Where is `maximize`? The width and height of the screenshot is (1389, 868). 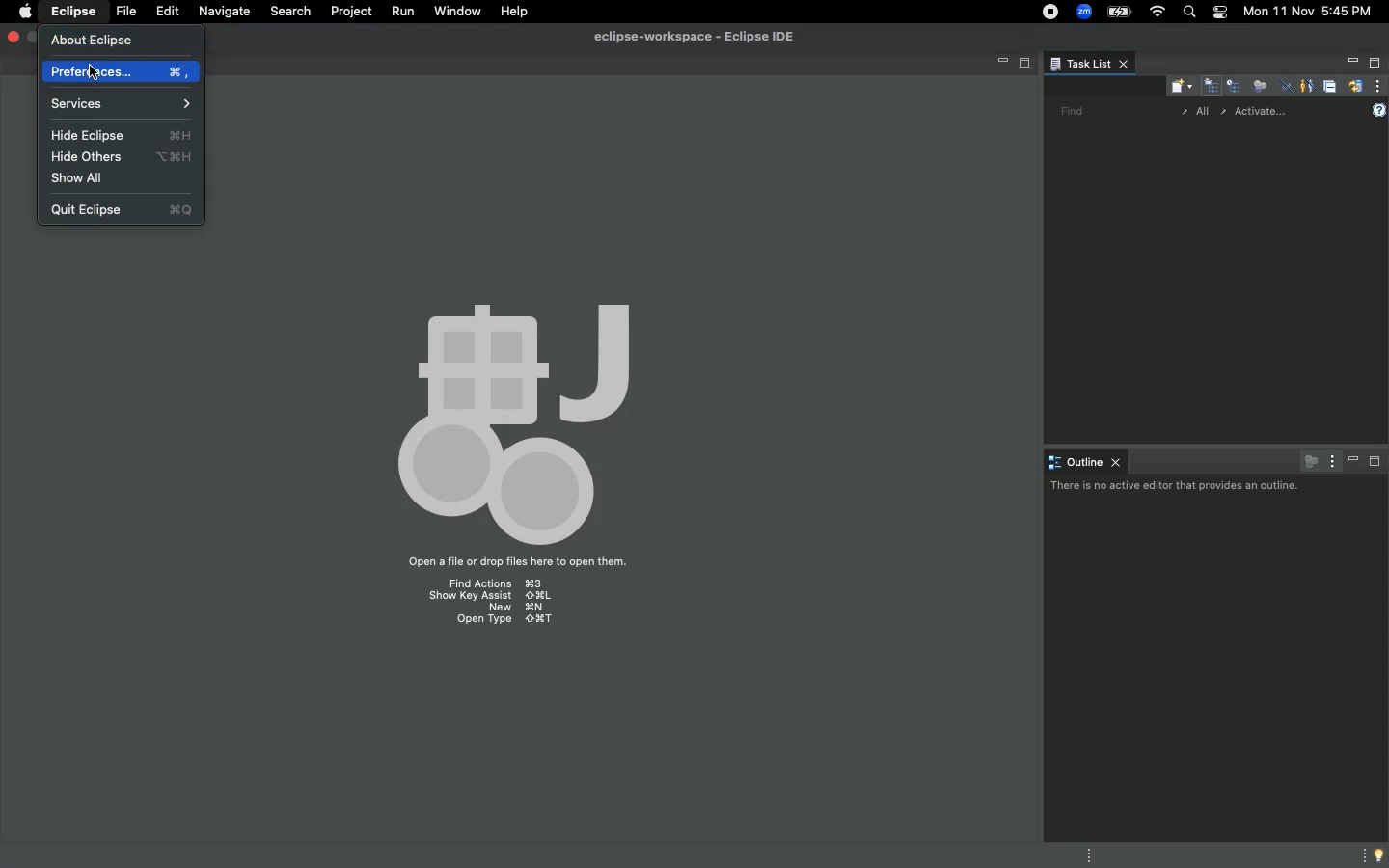 maximize is located at coordinates (31, 40).